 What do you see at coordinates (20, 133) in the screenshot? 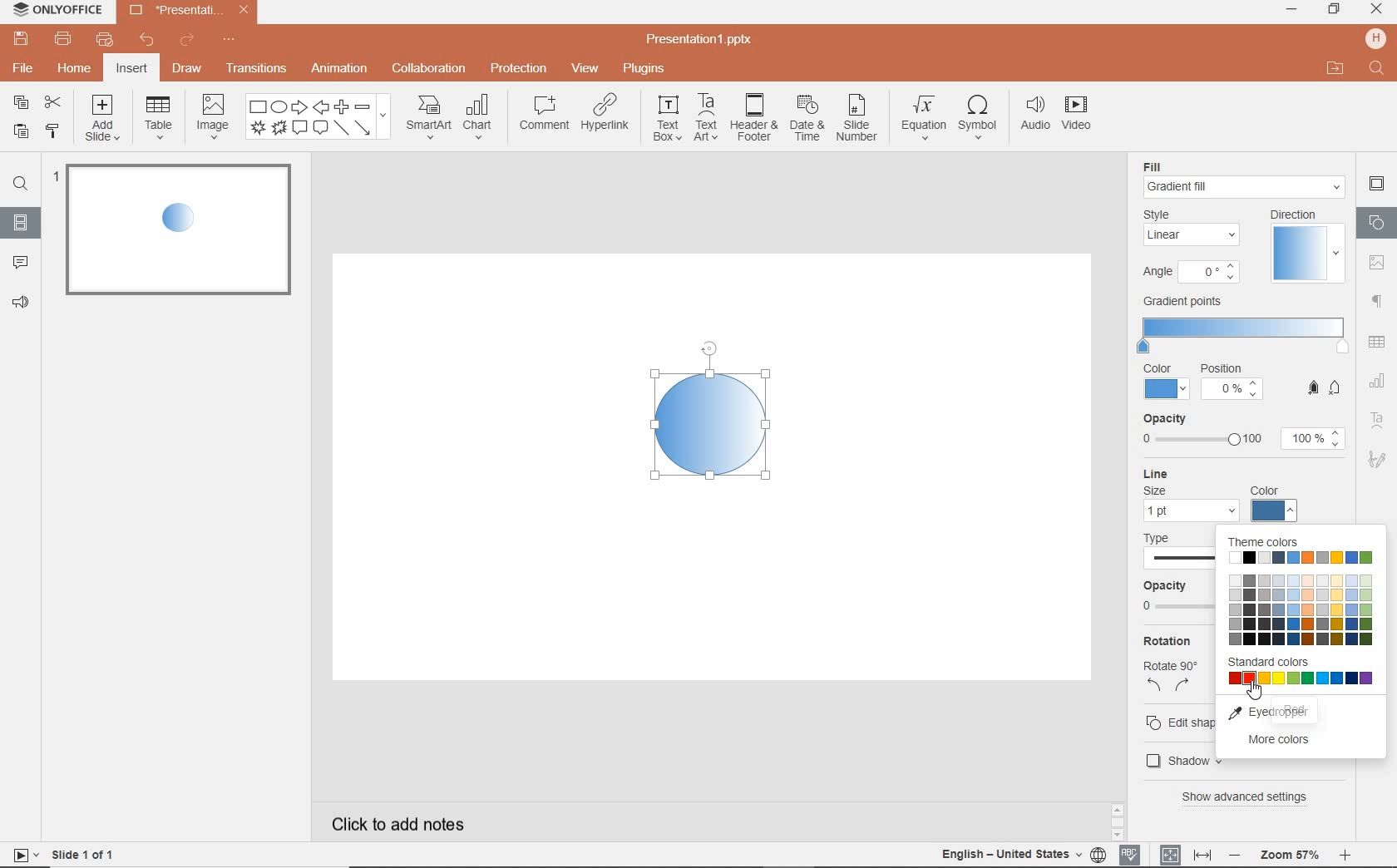
I see `paste` at bounding box center [20, 133].